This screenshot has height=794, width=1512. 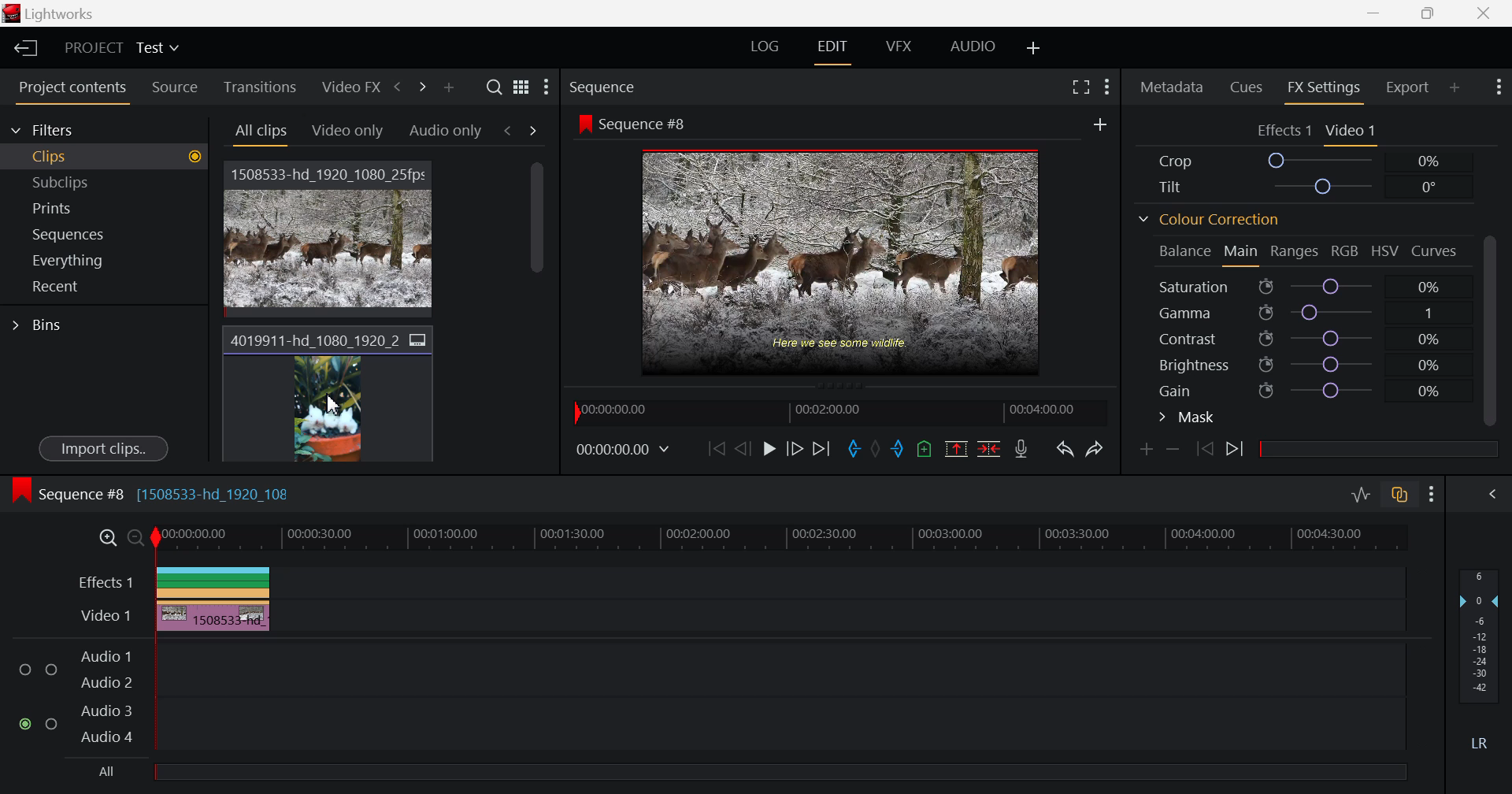 I want to click on toggle auto track sync, so click(x=1400, y=492).